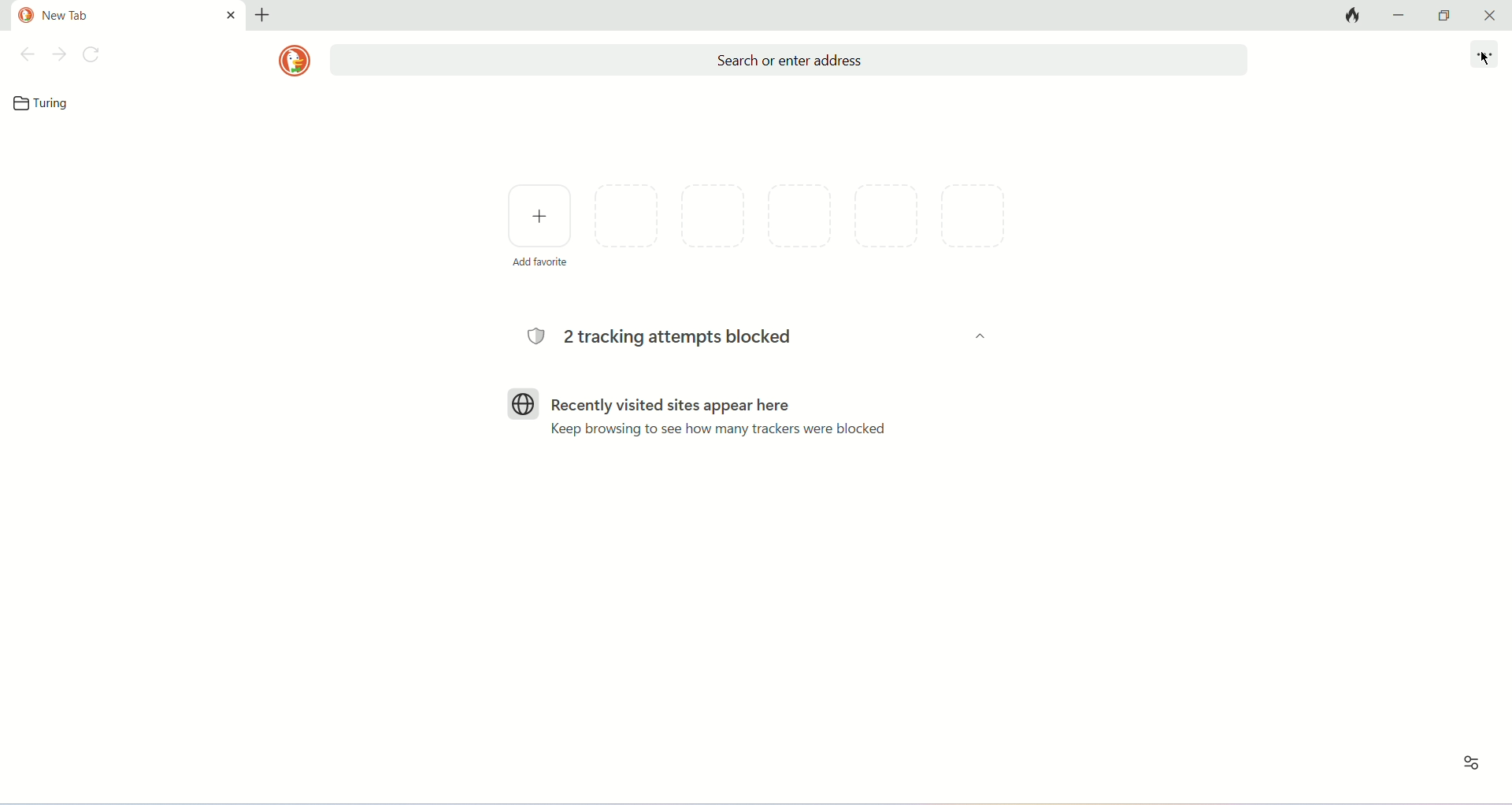 This screenshot has height=805, width=1512. Describe the element at coordinates (129, 13) in the screenshot. I see `current tab` at that location.